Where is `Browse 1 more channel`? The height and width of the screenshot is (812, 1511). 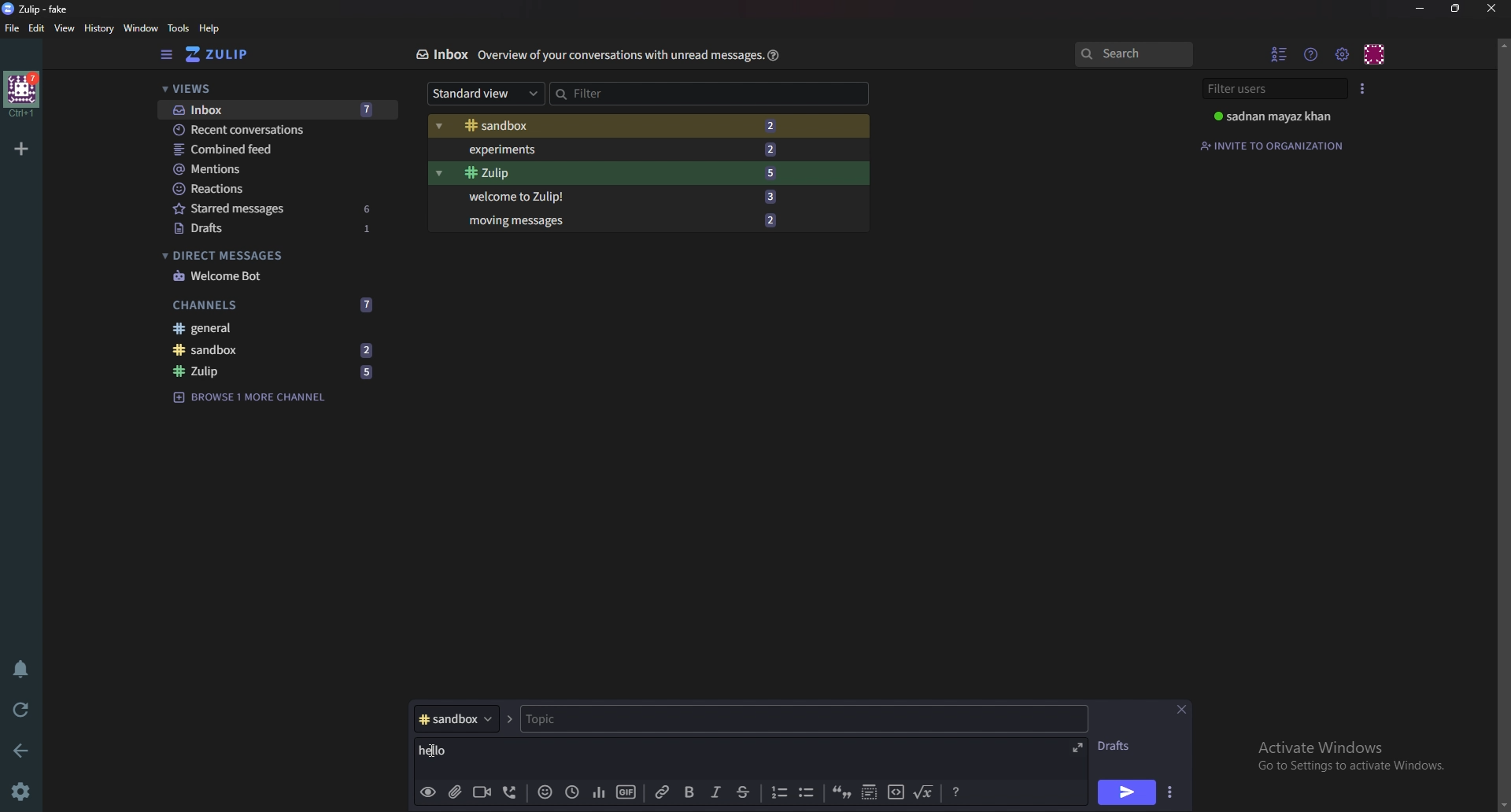 Browse 1 more channel is located at coordinates (260, 397).